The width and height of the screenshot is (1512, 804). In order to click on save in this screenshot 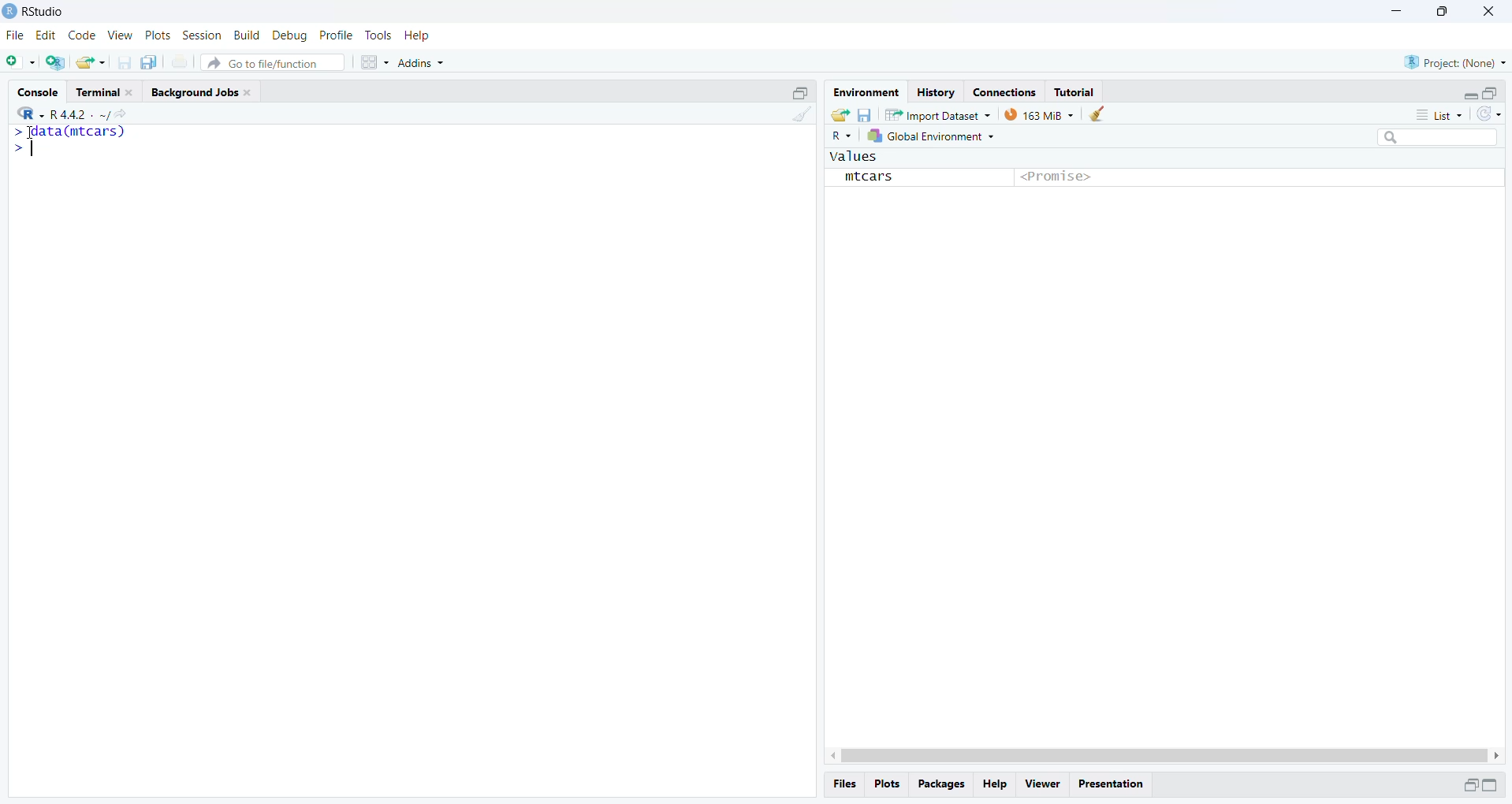, I will do `click(866, 114)`.